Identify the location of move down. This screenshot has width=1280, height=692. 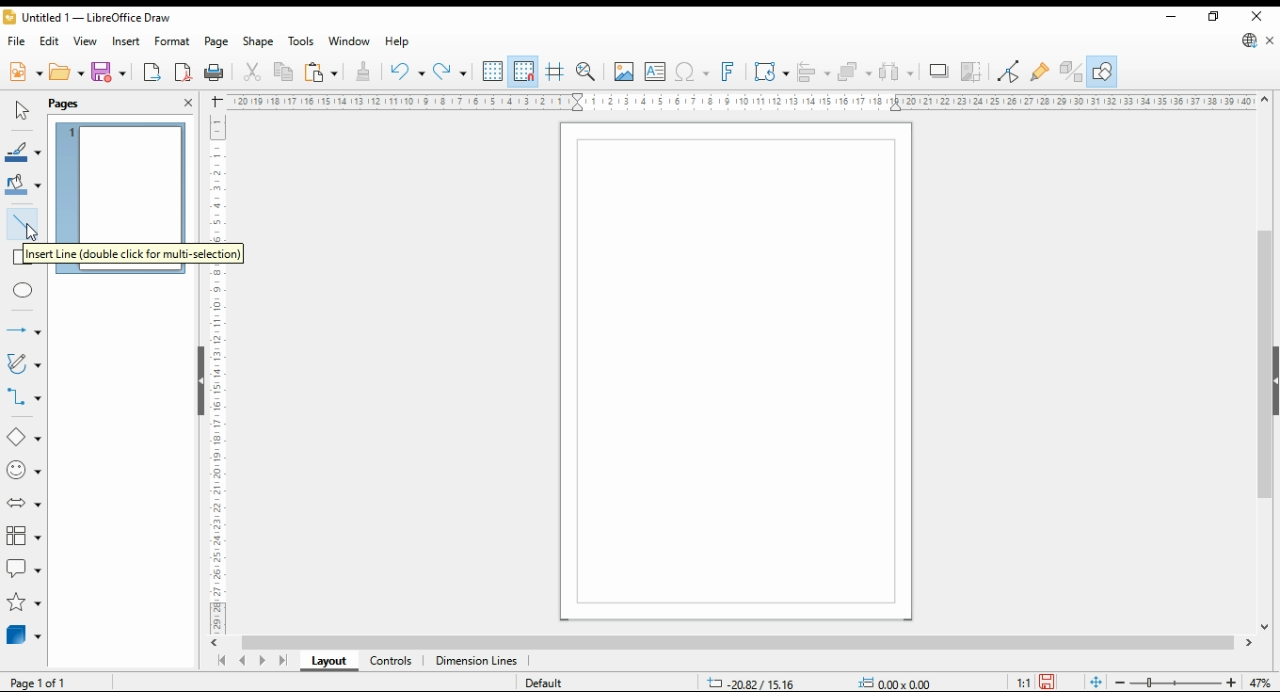
(1265, 629).